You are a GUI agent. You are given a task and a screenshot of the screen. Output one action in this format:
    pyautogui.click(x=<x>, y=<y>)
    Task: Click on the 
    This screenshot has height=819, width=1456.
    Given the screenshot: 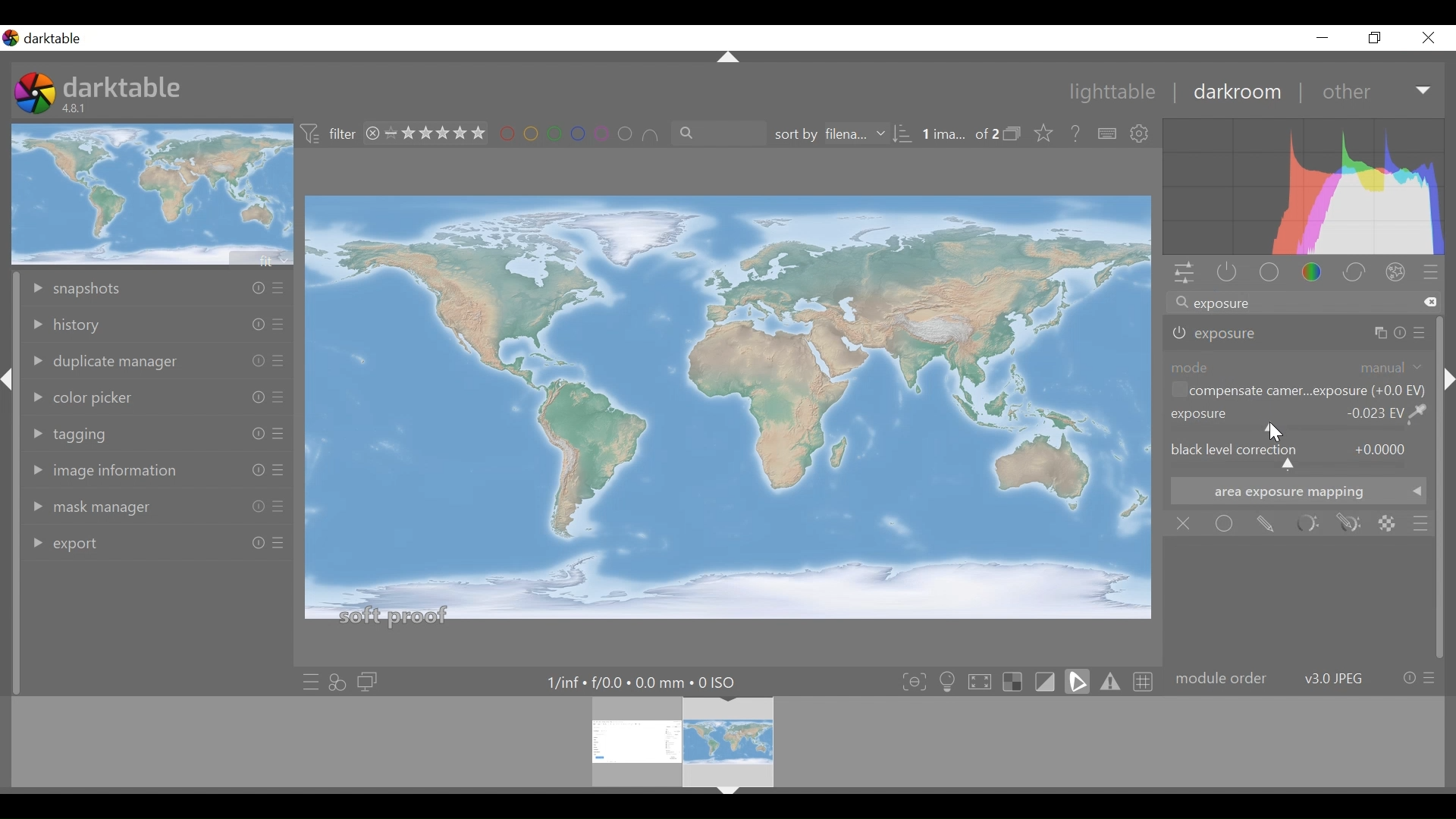 What is the action you would take?
    pyautogui.click(x=8, y=397)
    